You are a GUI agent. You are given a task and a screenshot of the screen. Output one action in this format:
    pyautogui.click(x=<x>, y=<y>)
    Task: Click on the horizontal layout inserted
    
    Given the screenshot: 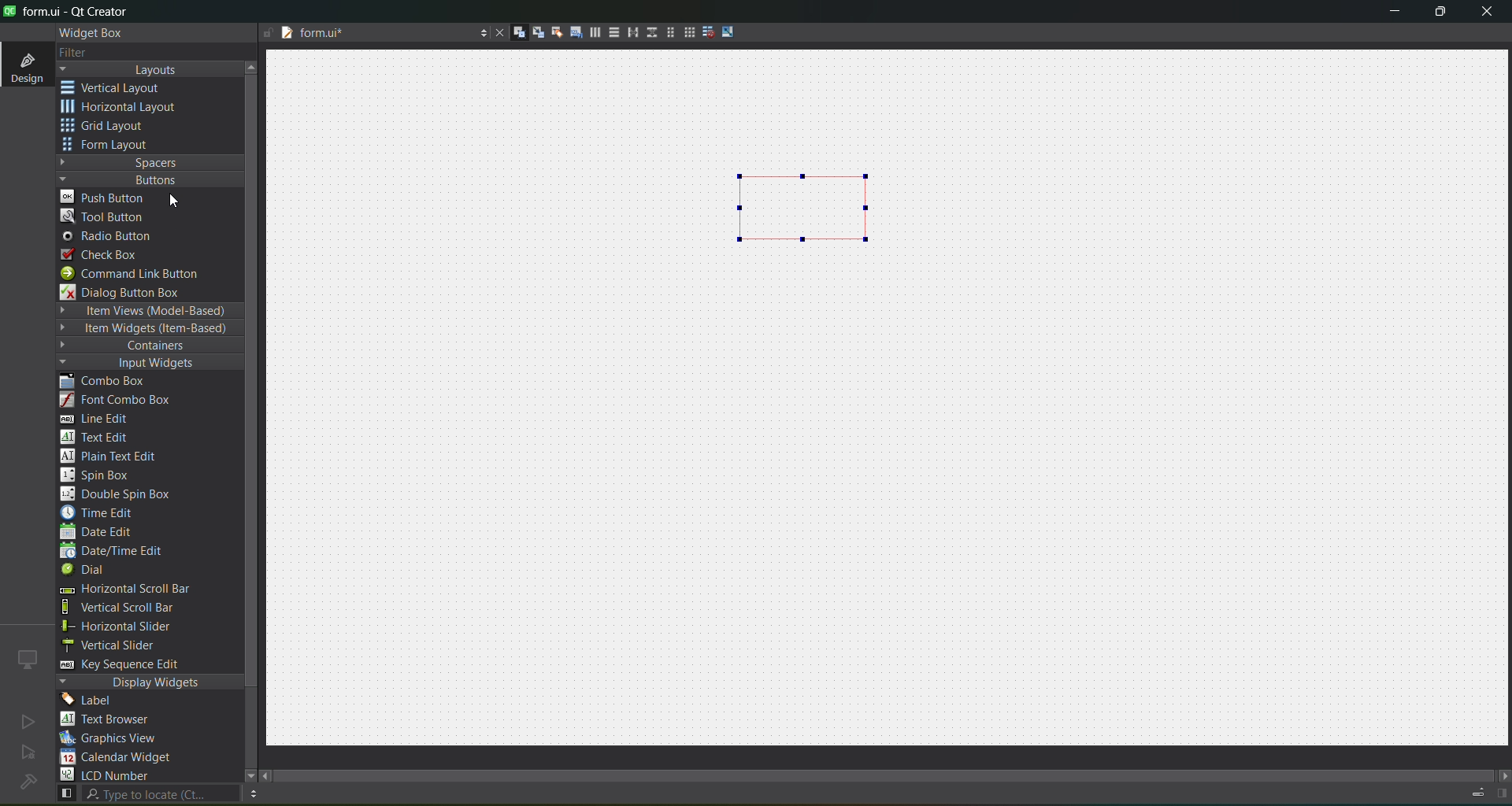 What is the action you would take?
    pyautogui.click(x=807, y=207)
    